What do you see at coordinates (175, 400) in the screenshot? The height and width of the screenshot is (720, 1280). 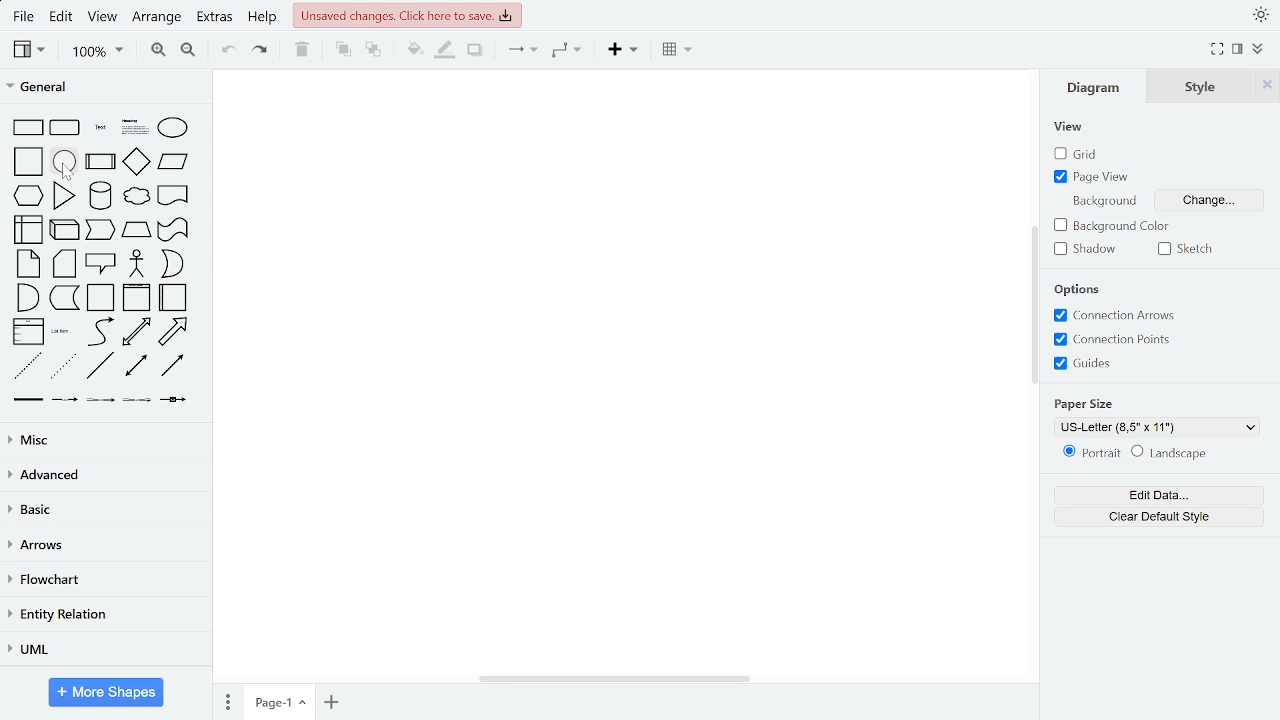 I see `link with symbol` at bounding box center [175, 400].